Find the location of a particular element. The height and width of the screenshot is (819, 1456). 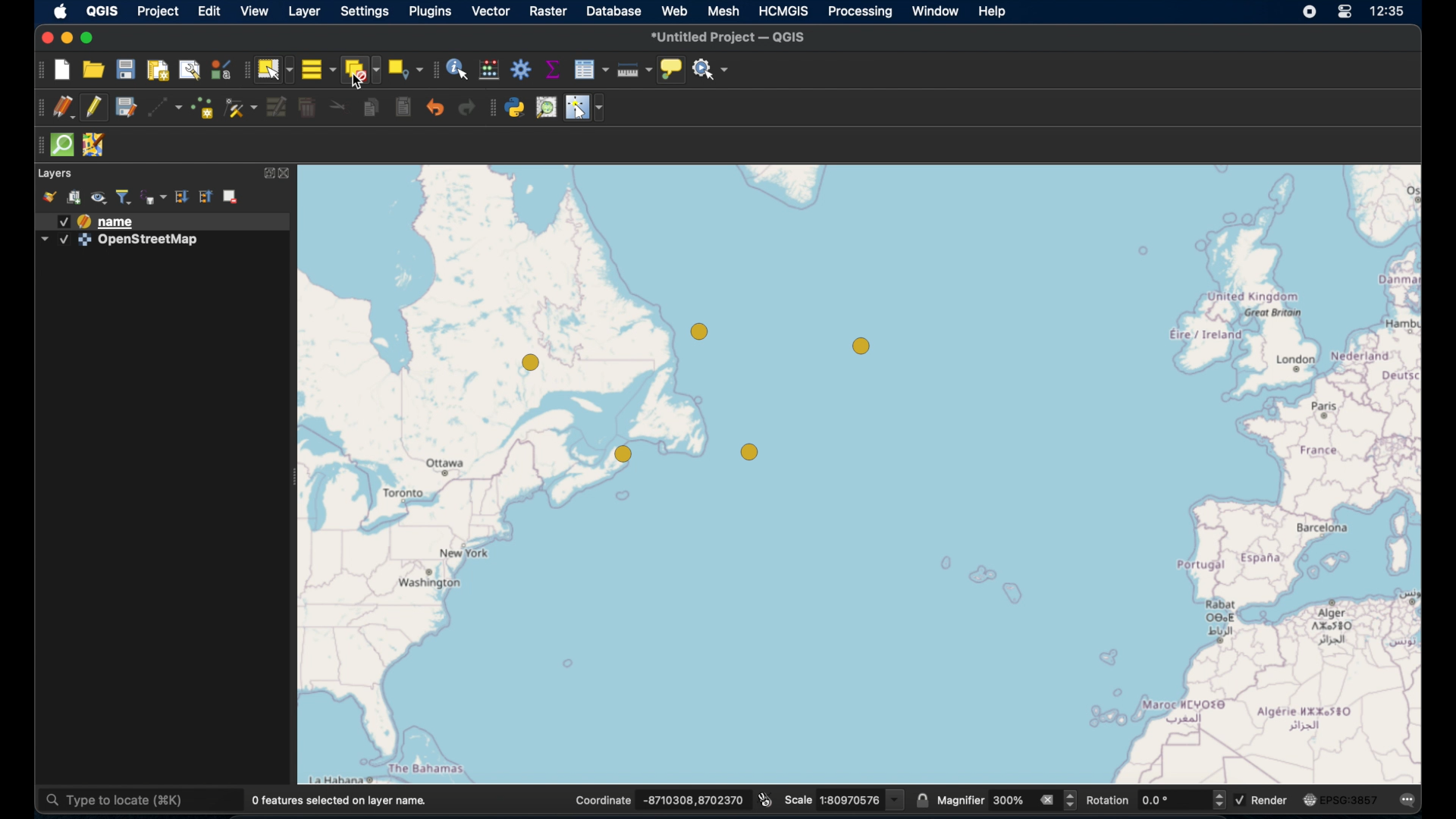

toolbox is located at coordinates (521, 71).